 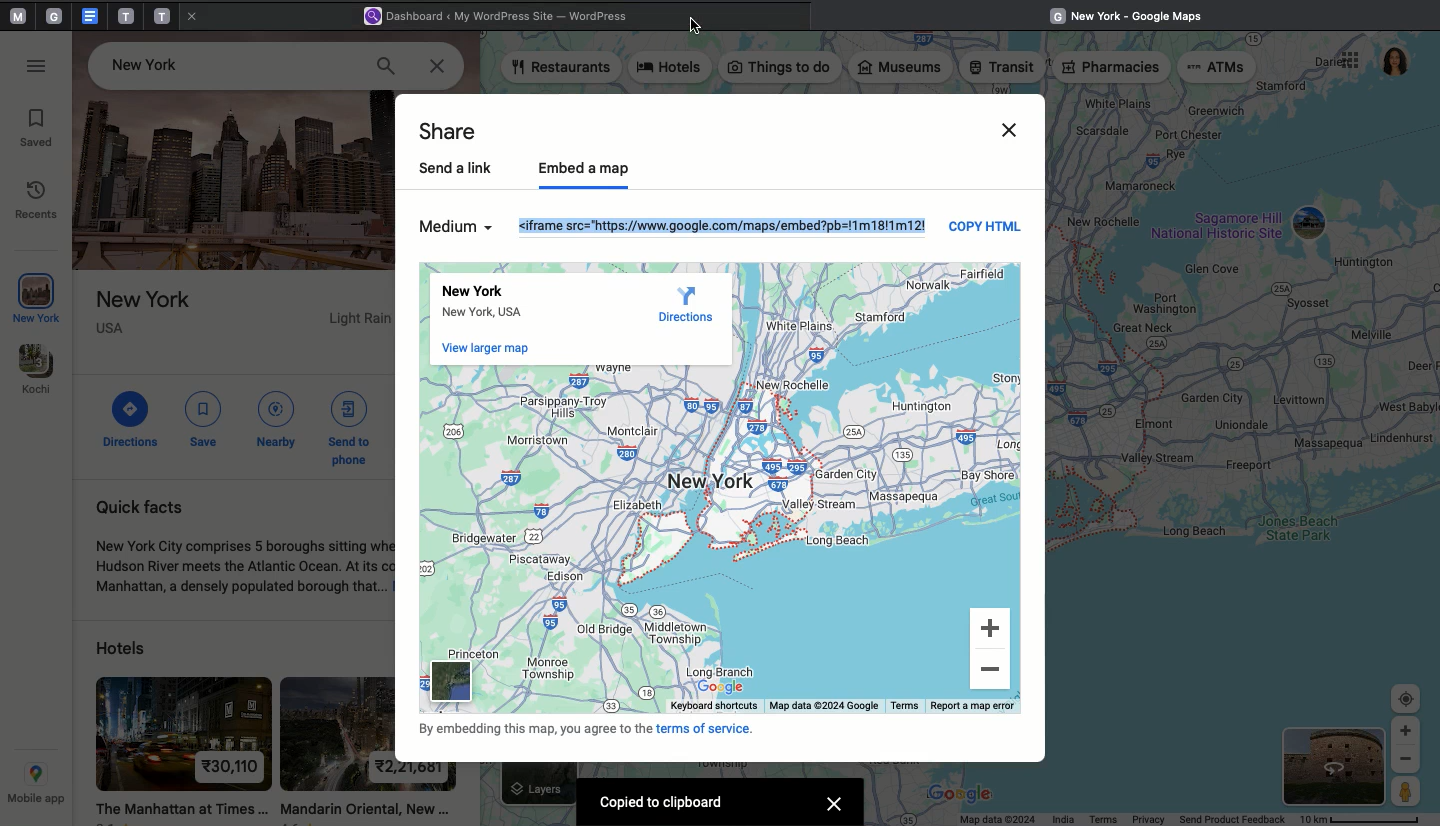 What do you see at coordinates (1406, 731) in the screenshot?
I see `Zoom In` at bounding box center [1406, 731].